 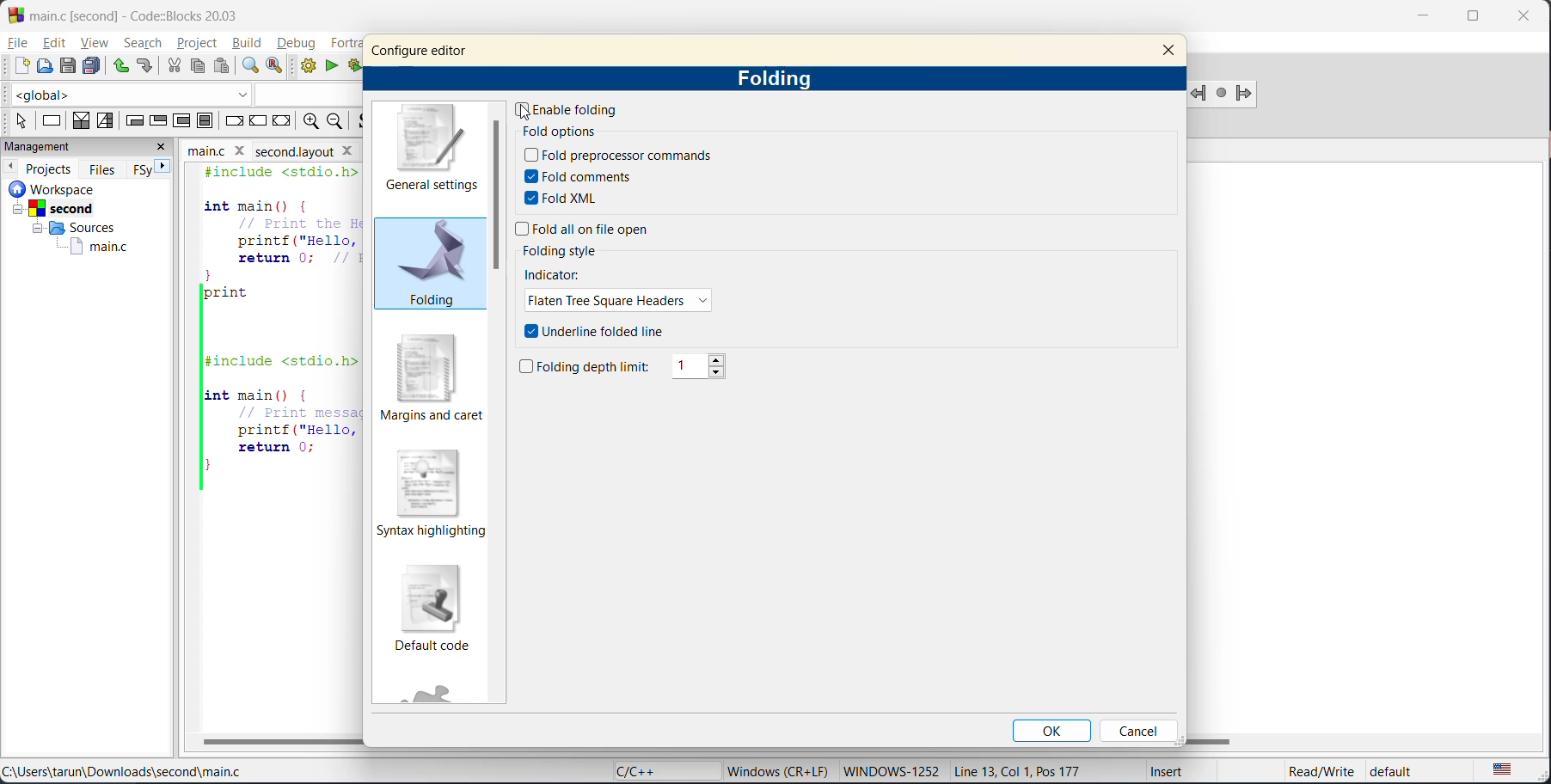 What do you see at coordinates (566, 250) in the screenshot?
I see `folding style` at bounding box center [566, 250].